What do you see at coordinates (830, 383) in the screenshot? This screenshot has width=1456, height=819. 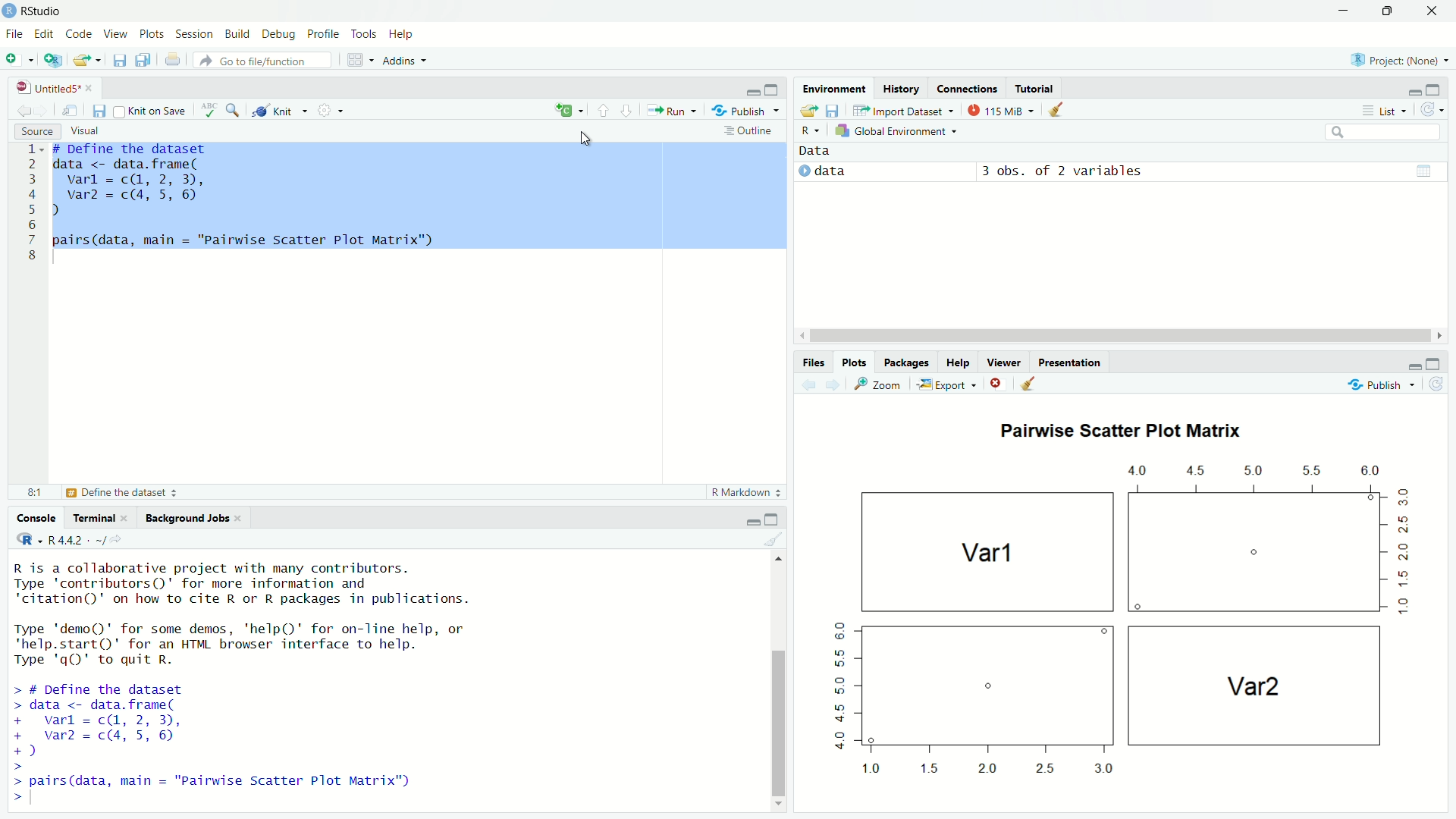 I see `Go forward to the next source location (Ctrl + F10)` at bounding box center [830, 383].